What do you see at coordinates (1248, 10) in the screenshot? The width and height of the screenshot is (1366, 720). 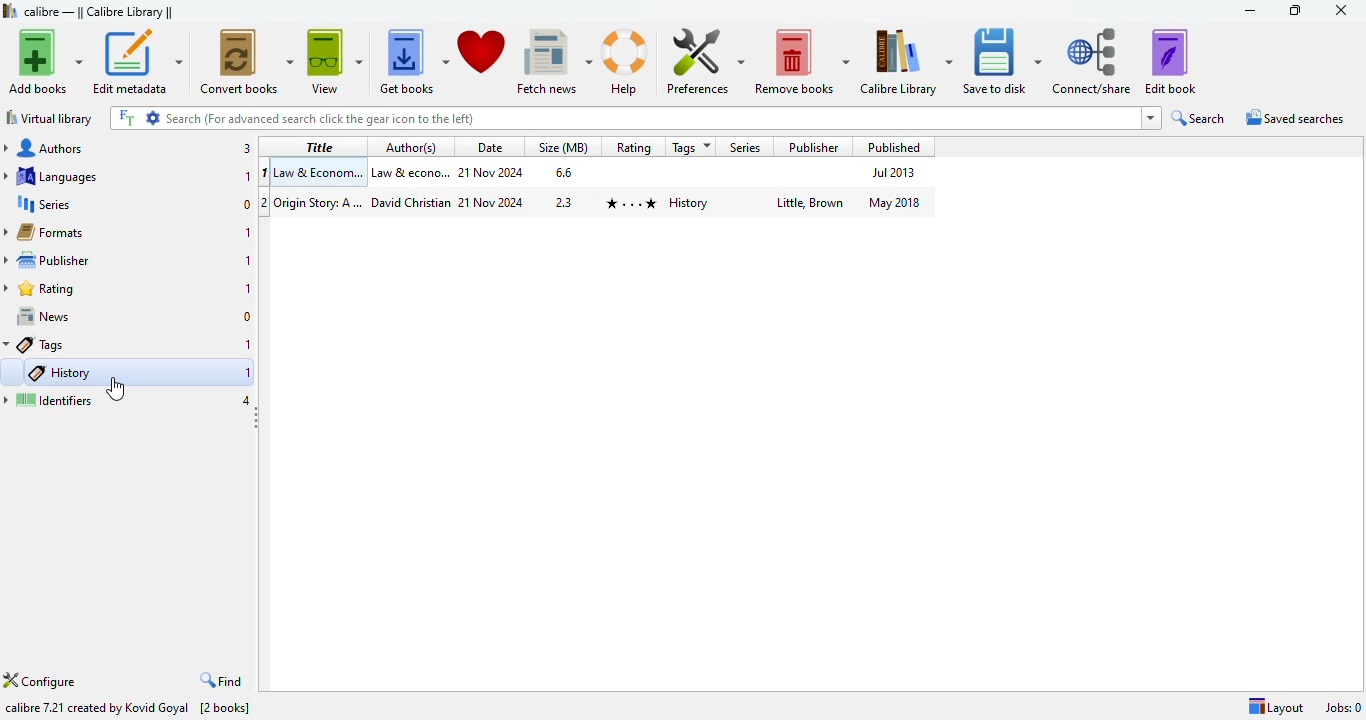 I see `minimize` at bounding box center [1248, 10].